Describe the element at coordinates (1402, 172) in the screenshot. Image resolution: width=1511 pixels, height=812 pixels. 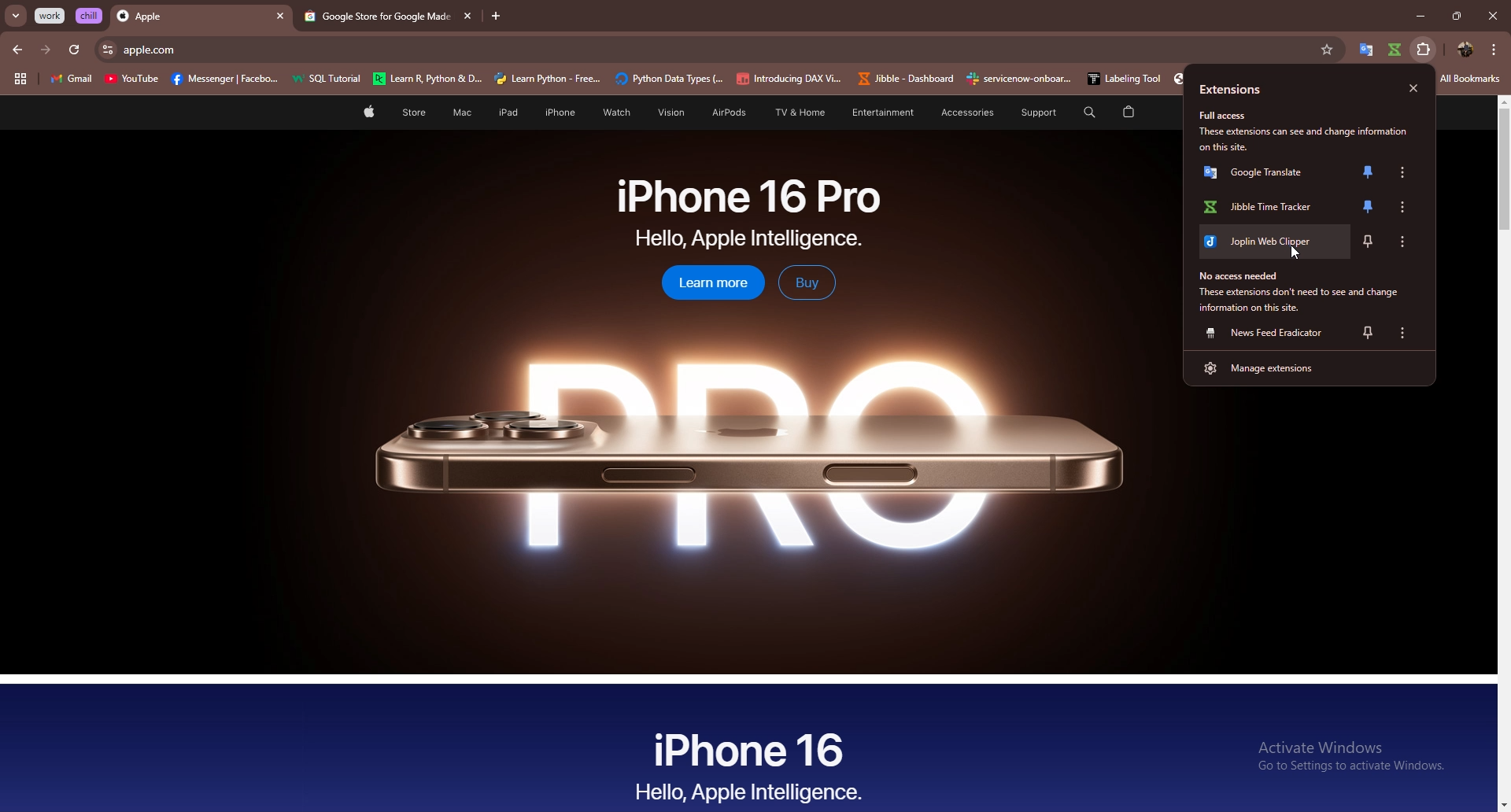
I see `options` at that location.